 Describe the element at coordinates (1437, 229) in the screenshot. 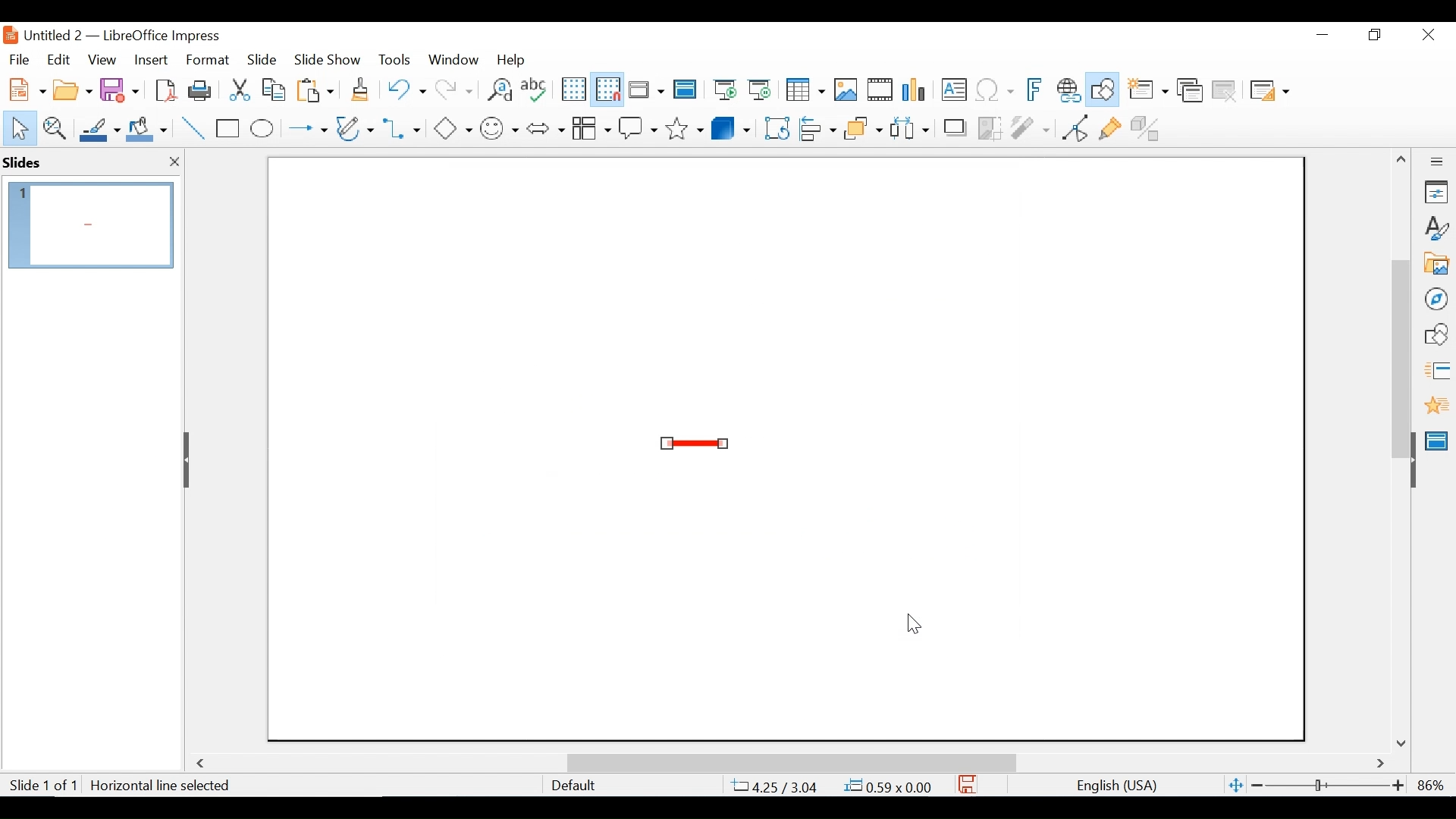

I see `Styles` at that location.